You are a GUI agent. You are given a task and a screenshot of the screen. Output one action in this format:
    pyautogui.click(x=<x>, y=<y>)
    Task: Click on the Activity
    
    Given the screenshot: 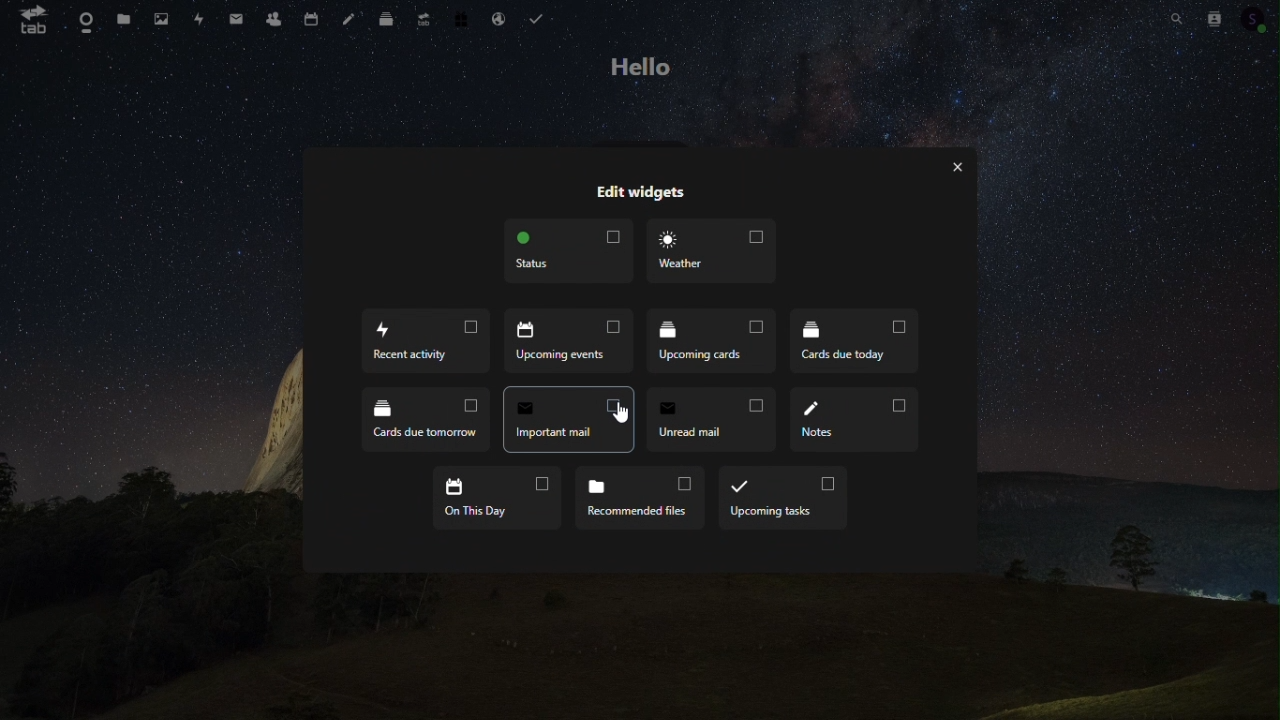 What is the action you would take?
    pyautogui.click(x=199, y=19)
    